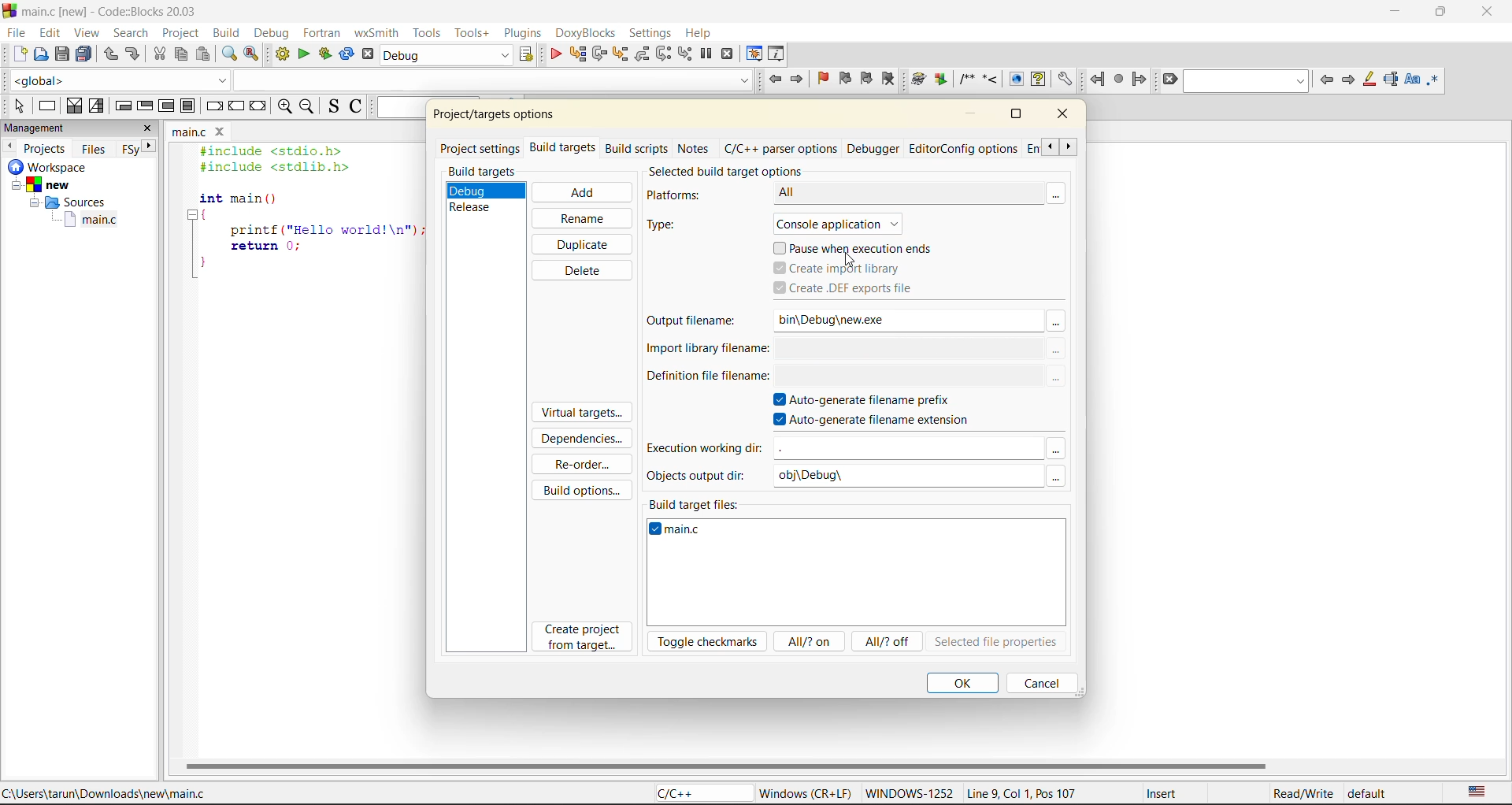 The image size is (1512, 805). Describe the element at coordinates (1171, 80) in the screenshot. I see `clear` at that location.